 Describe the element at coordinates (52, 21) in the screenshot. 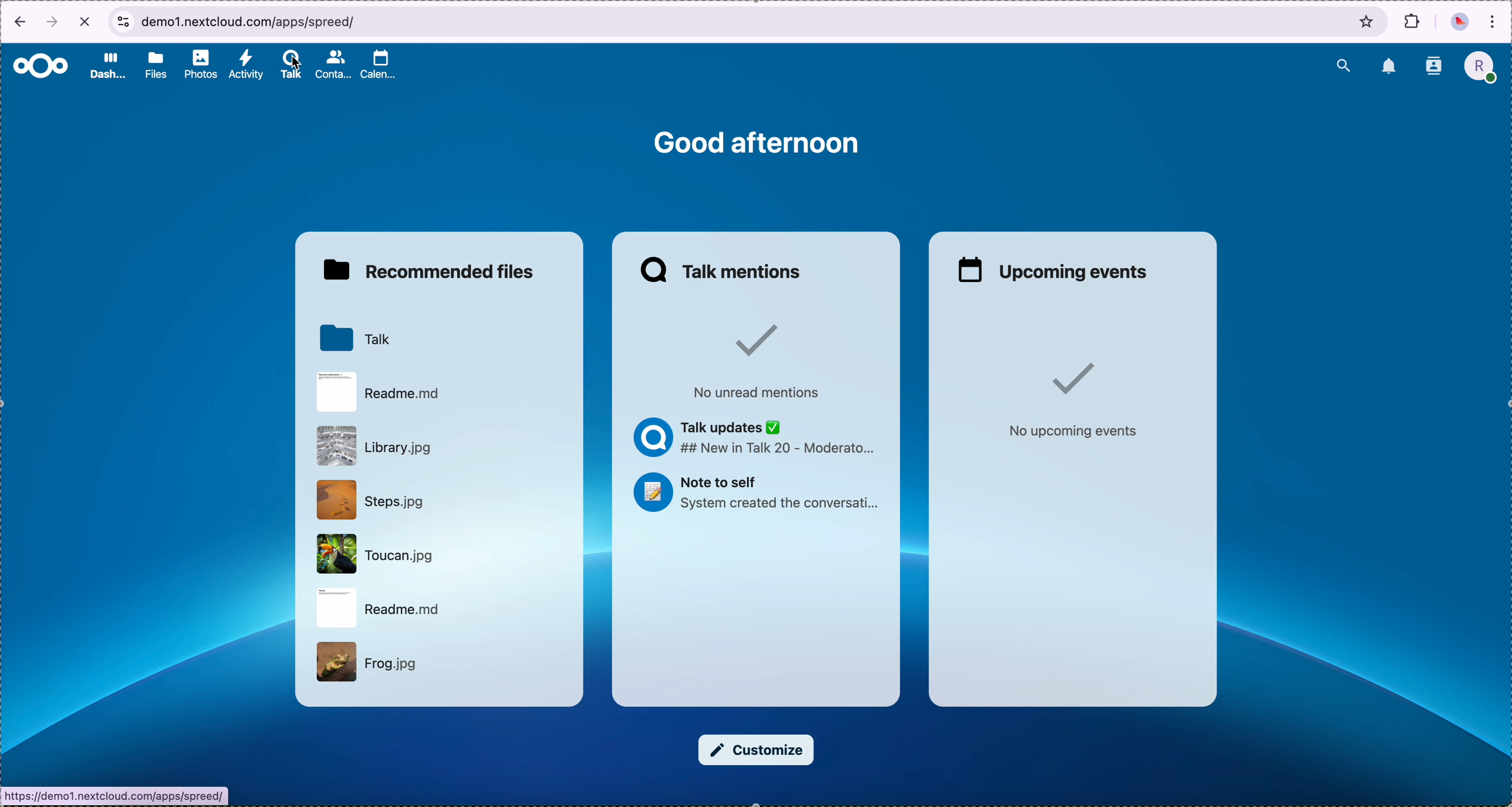

I see `forward` at that location.